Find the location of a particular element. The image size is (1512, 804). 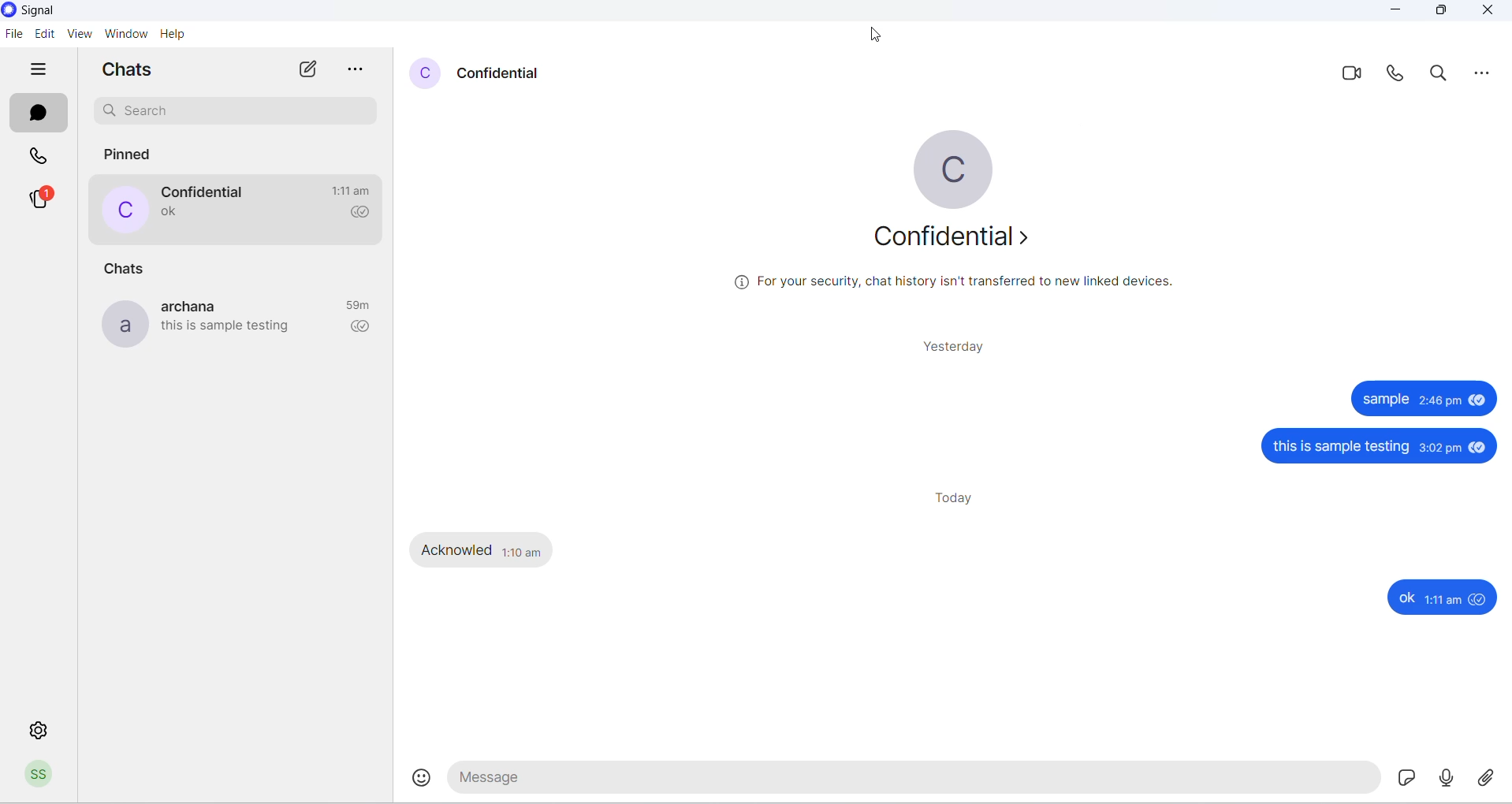

voice call is located at coordinates (1397, 73).